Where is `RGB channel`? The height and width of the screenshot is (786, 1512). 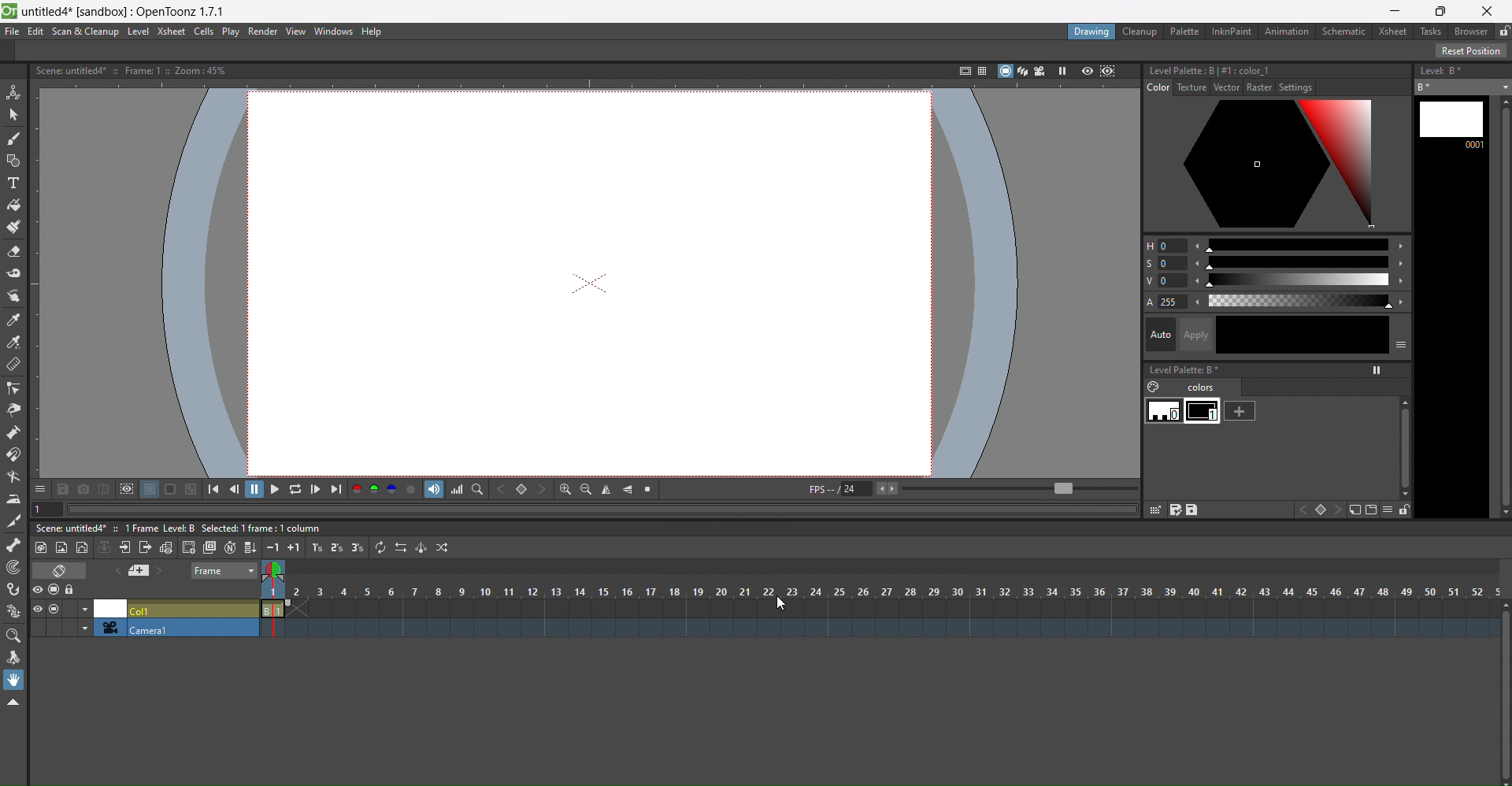
RGB channel is located at coordinates (374, 489).